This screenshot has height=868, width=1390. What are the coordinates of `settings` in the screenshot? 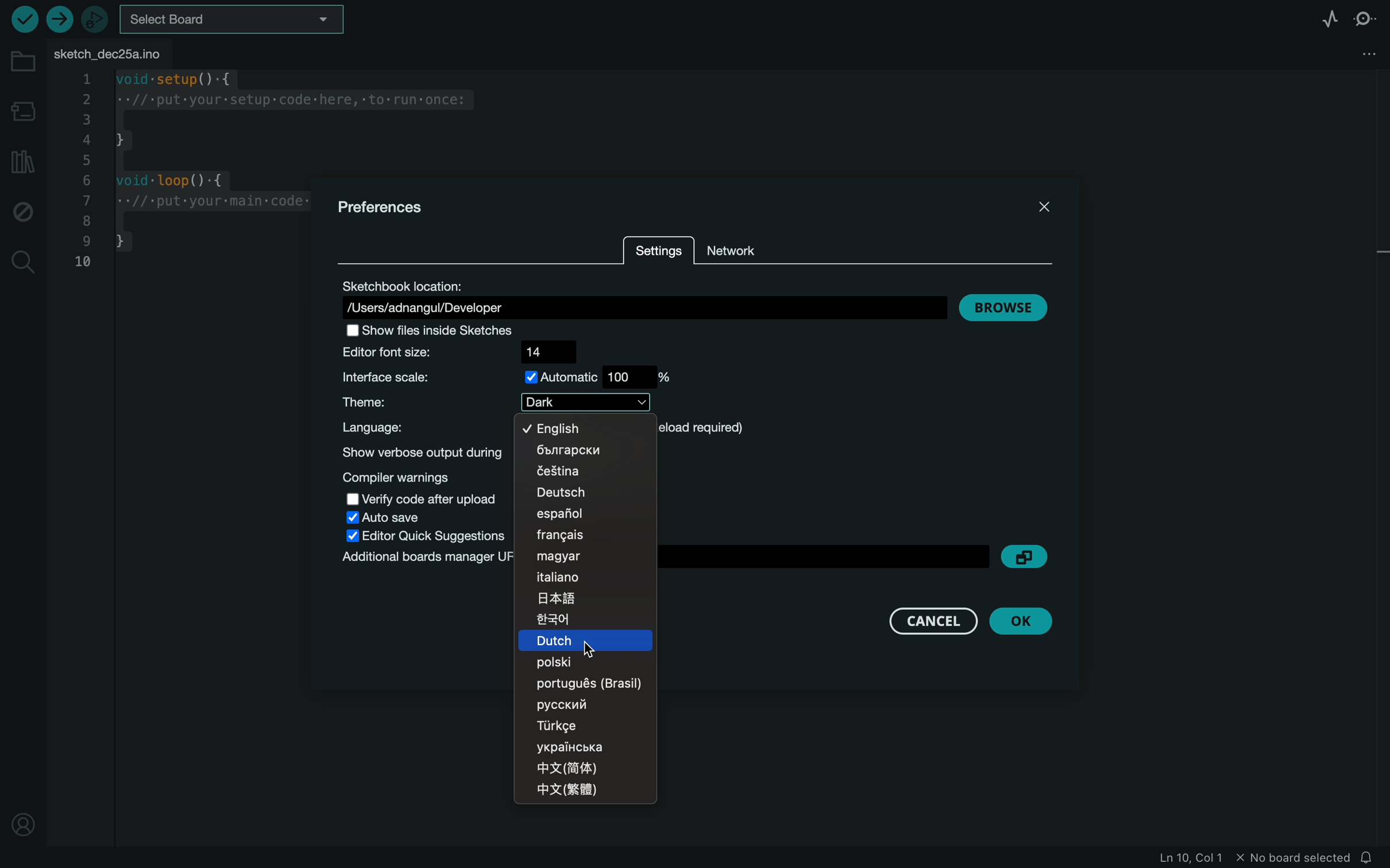 It's located at (657, 253).